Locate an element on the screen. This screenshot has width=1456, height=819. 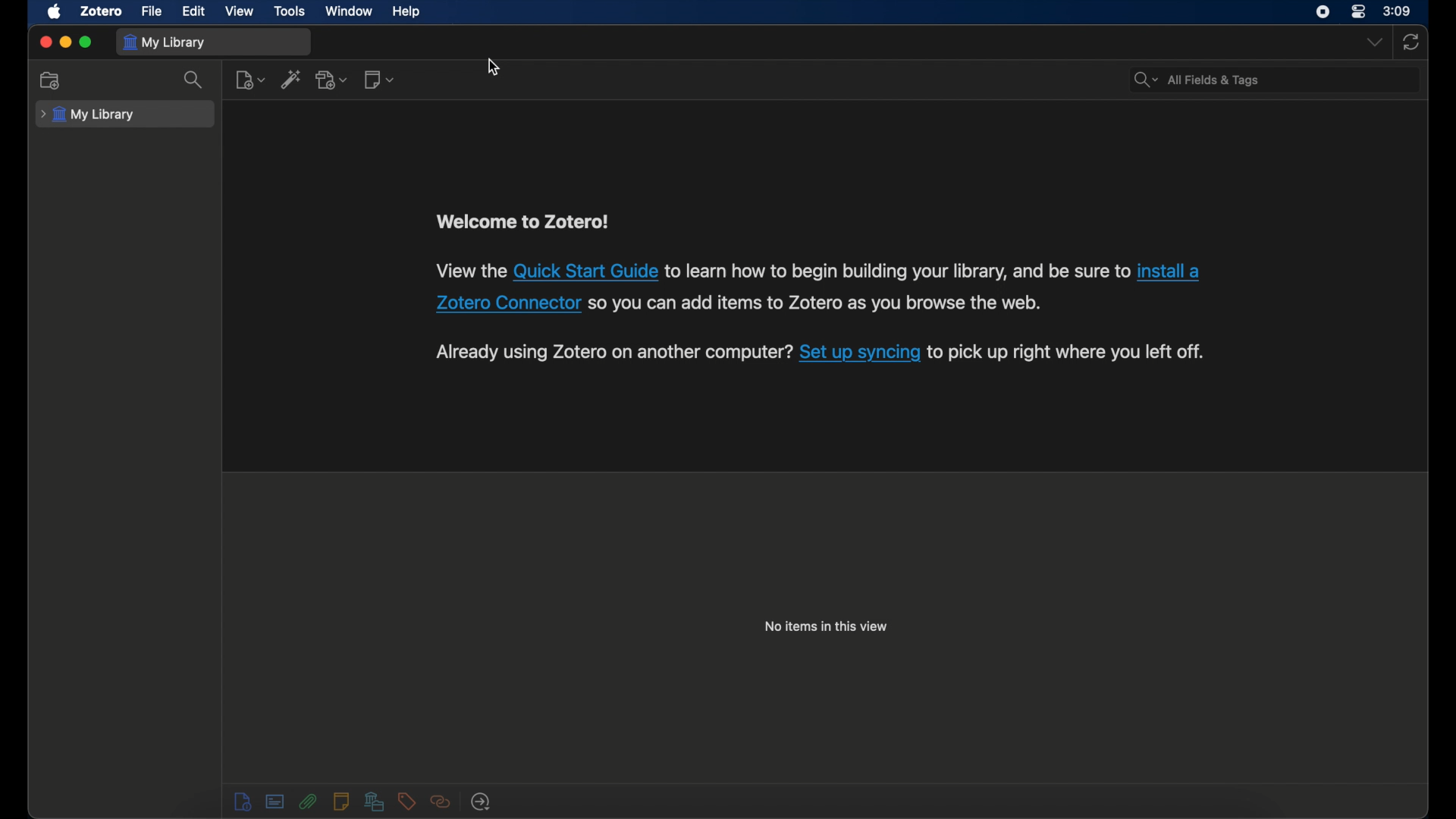
zotero is located at coordinates (100, 11).